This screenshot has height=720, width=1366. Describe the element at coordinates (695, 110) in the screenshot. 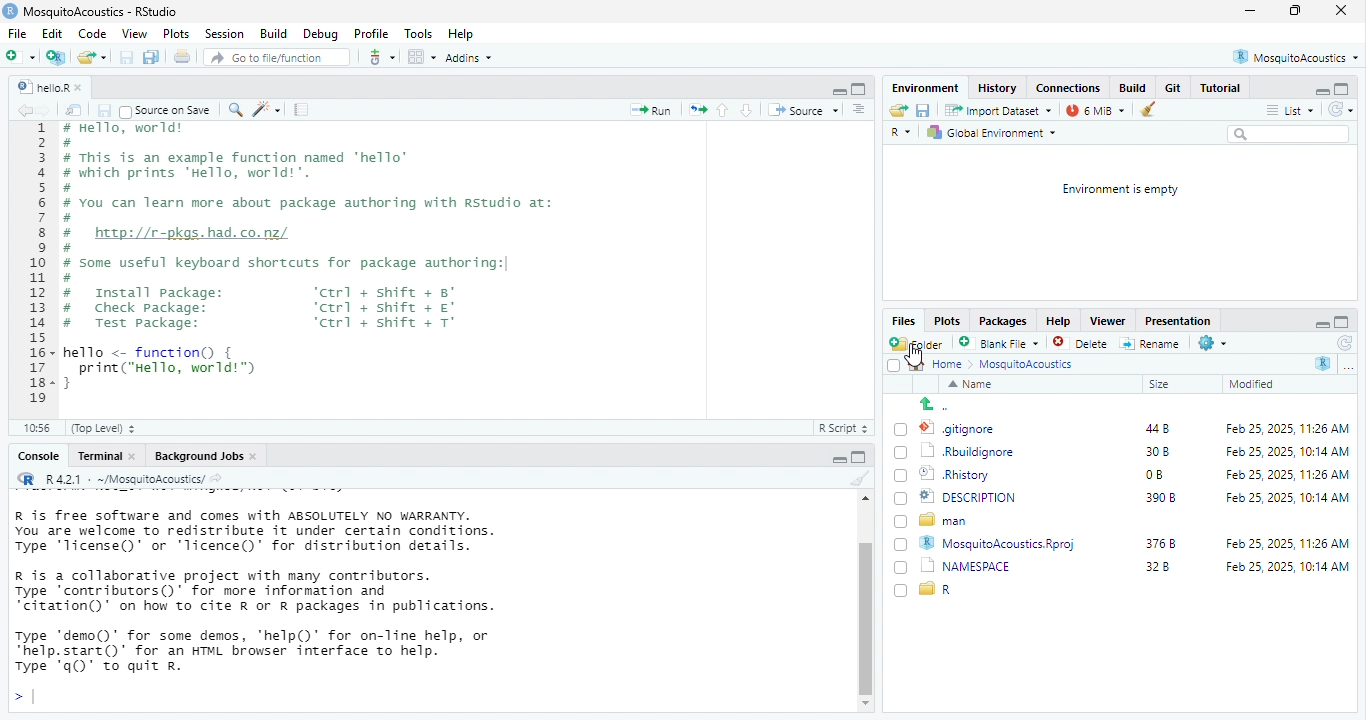

I see `re run the previous code` at that location.